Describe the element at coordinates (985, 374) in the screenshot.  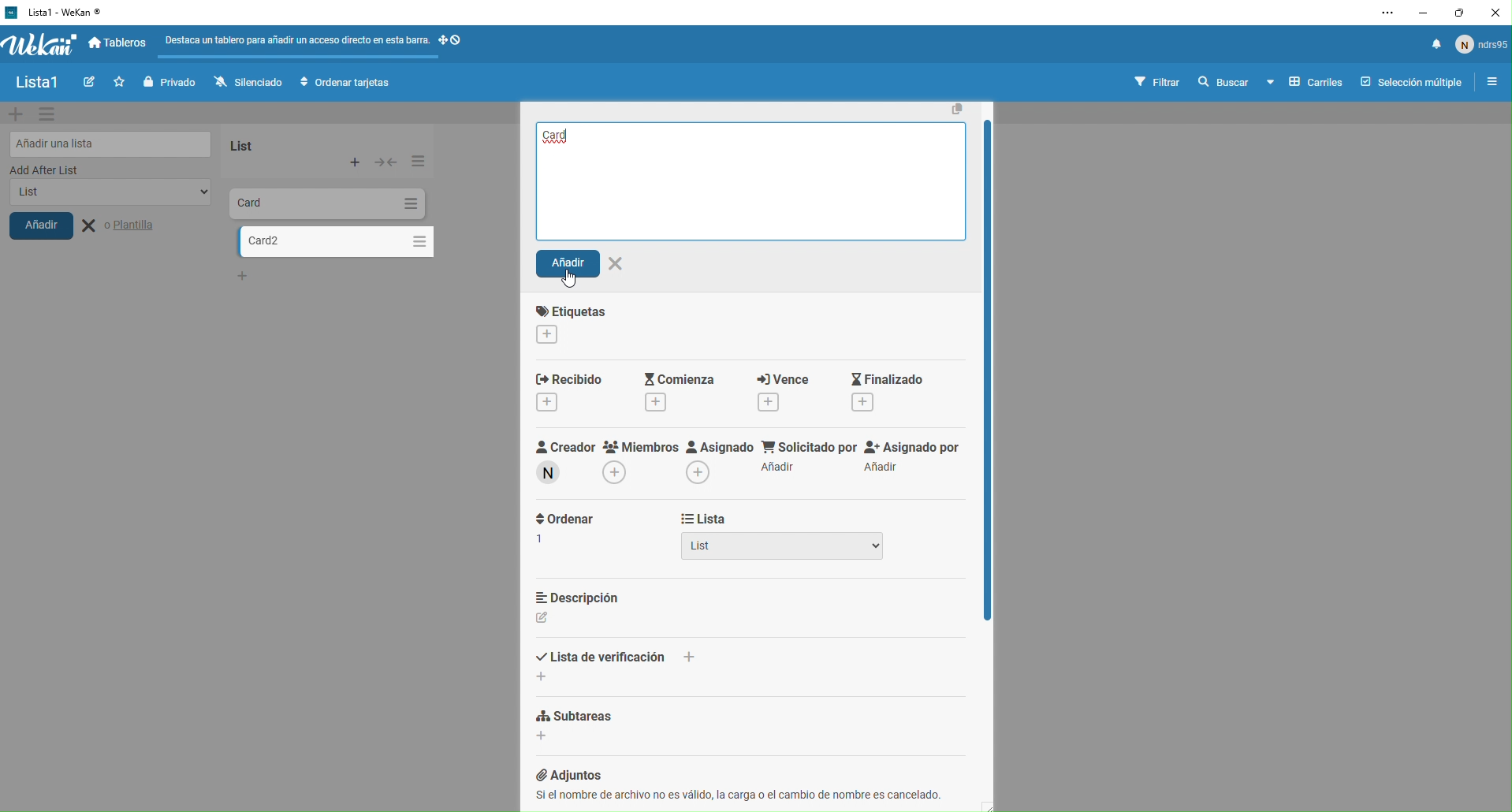
I see `Vertical Scroll bar` at that location.